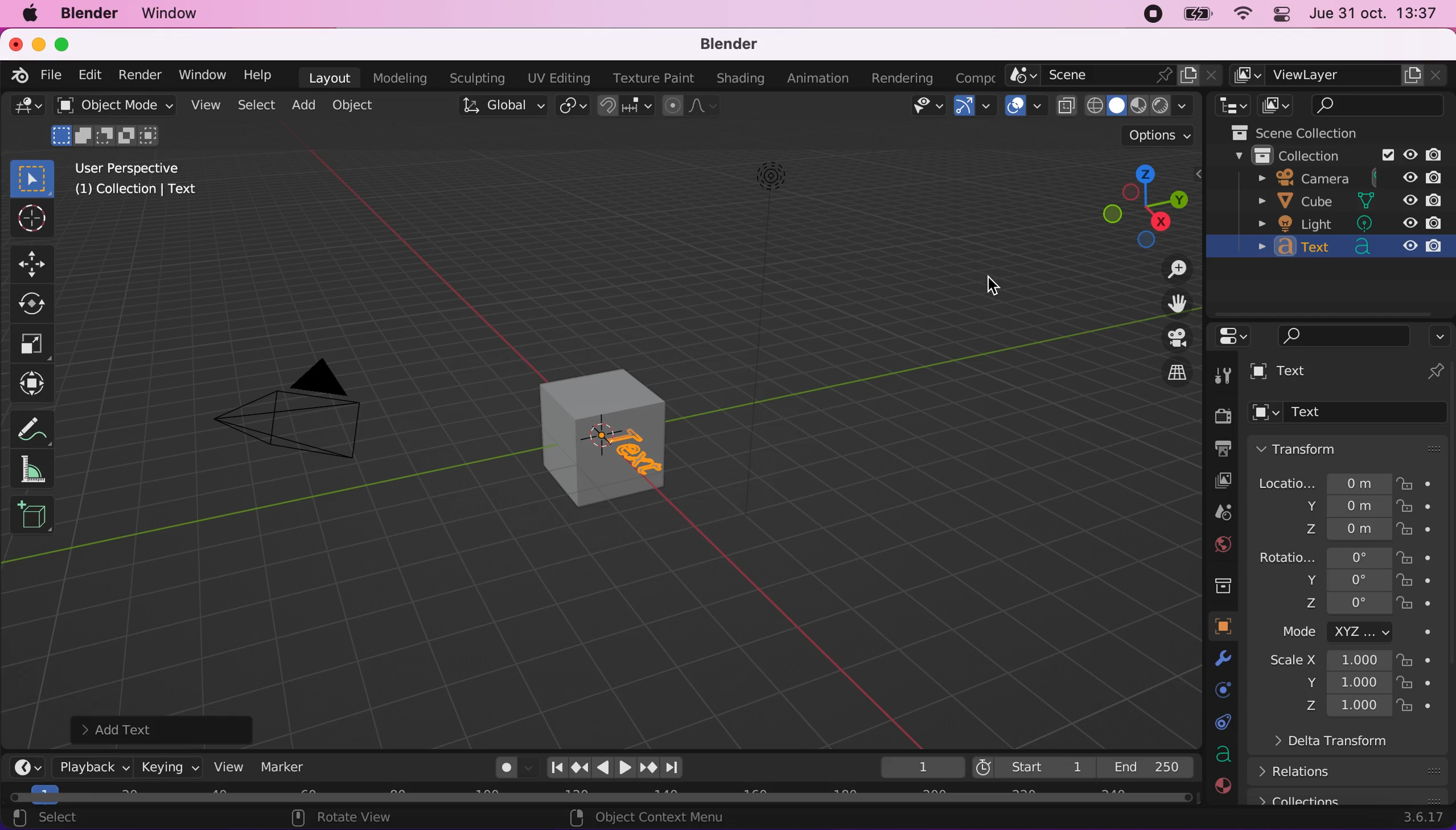  I want to click on modeling, so click(401, 78).